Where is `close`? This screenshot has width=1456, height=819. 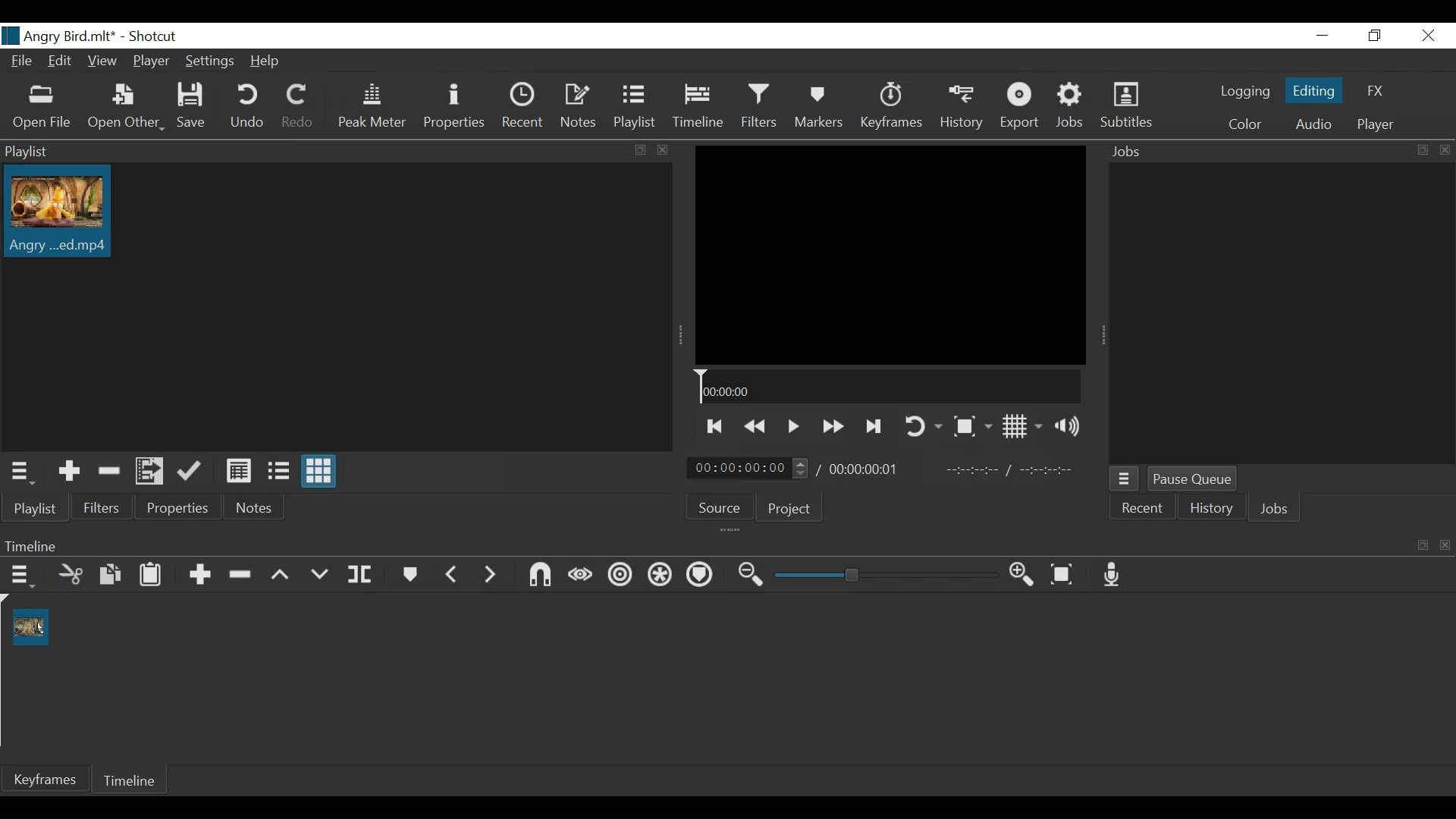 close is located at coordinates (1429, 35).